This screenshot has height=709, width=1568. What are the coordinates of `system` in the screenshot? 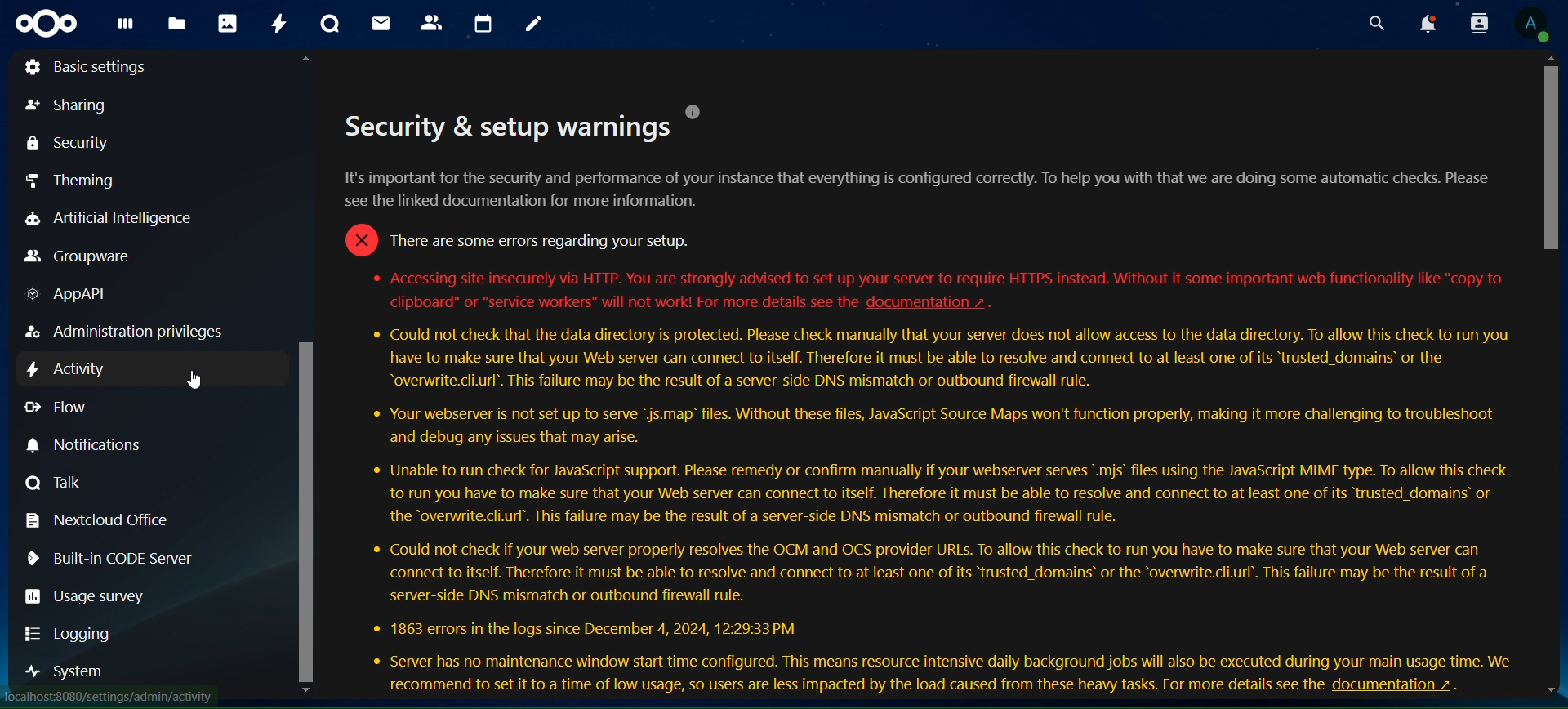 It's located at (68, 671).